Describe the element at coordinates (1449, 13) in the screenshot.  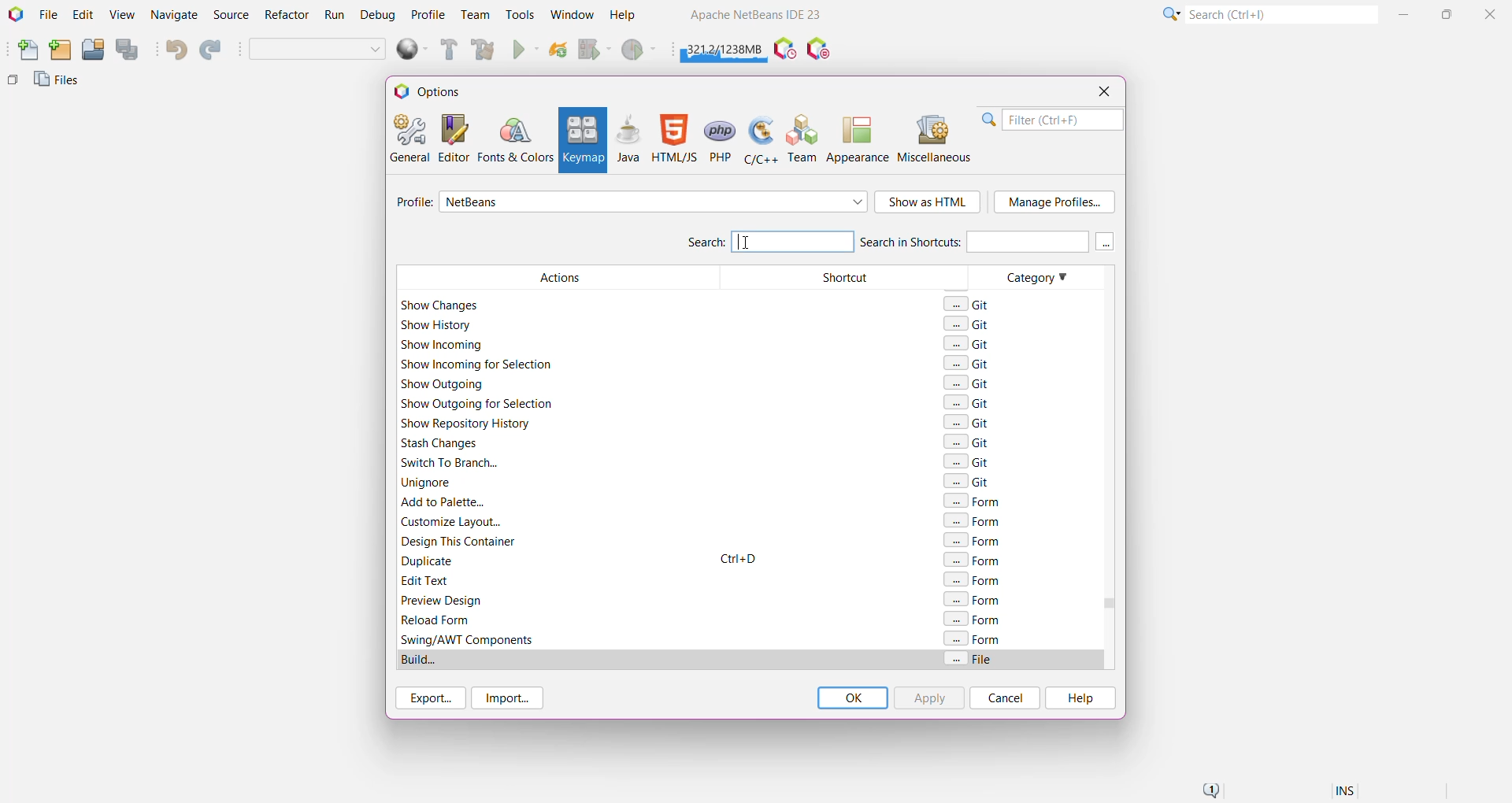
I see `Maximize` at that location.